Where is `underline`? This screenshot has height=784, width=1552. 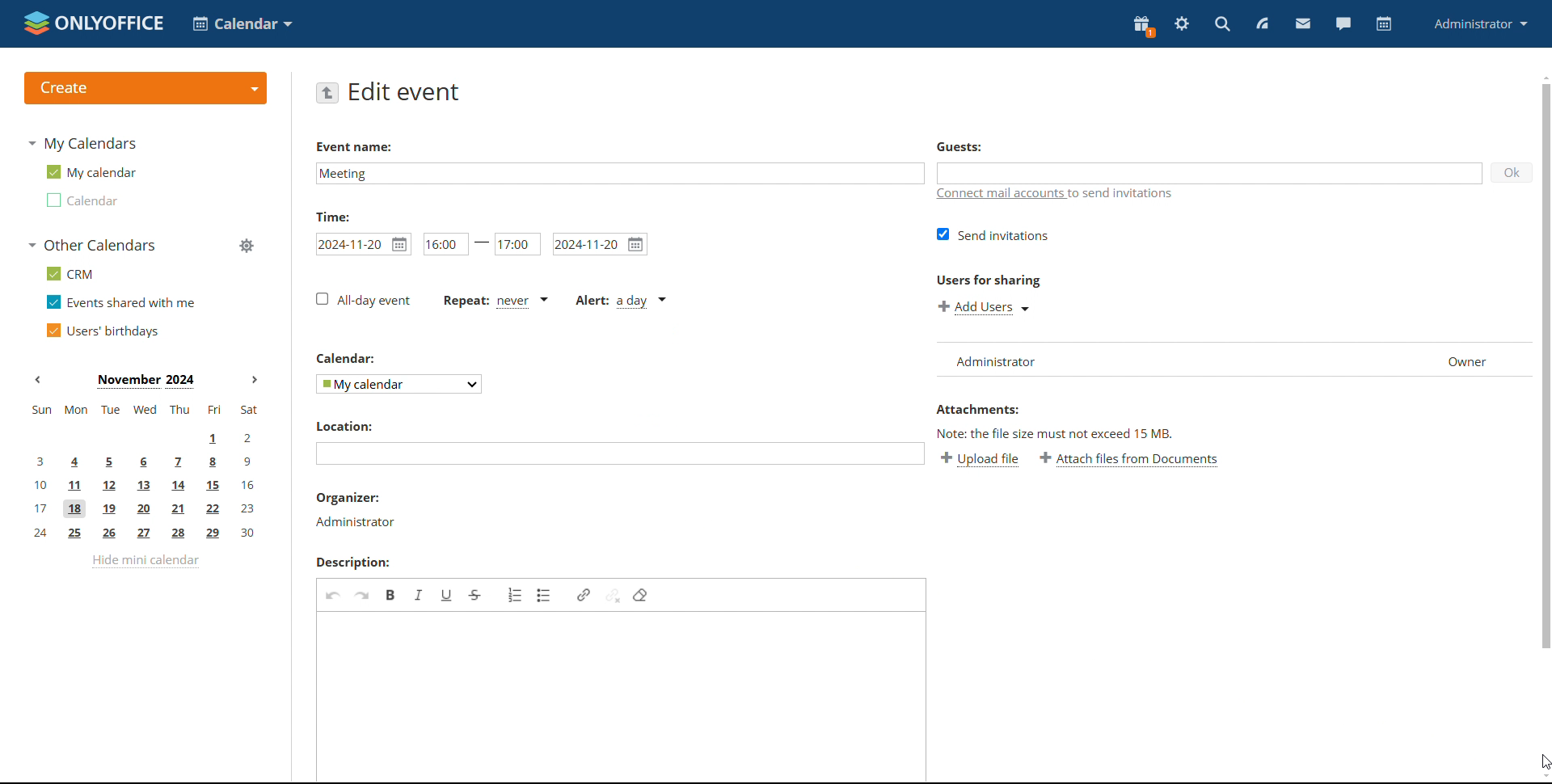 underline is located at coordinates (448, 595).